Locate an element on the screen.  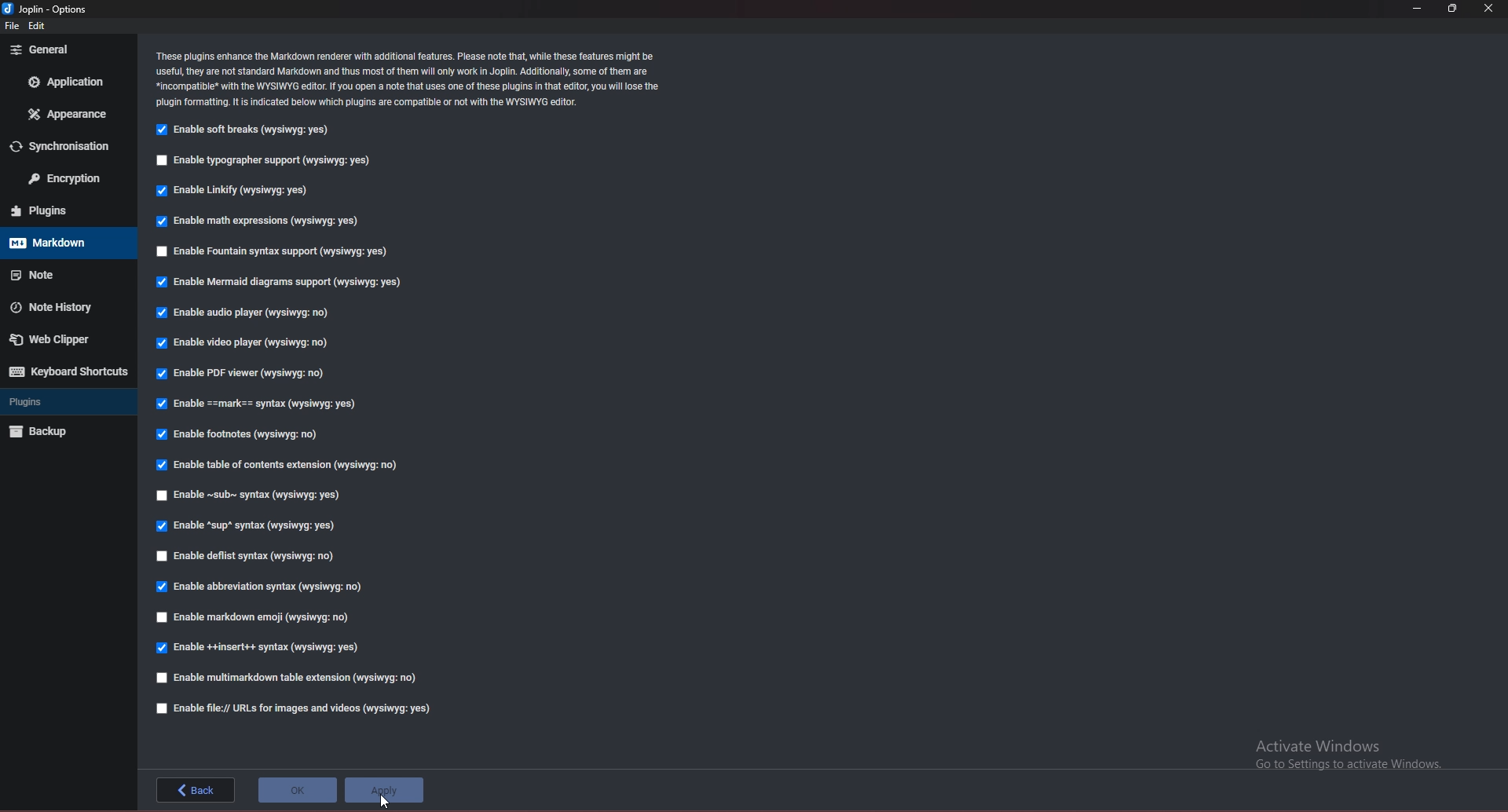
enable sub syntax is located at coordinates (251, 494).